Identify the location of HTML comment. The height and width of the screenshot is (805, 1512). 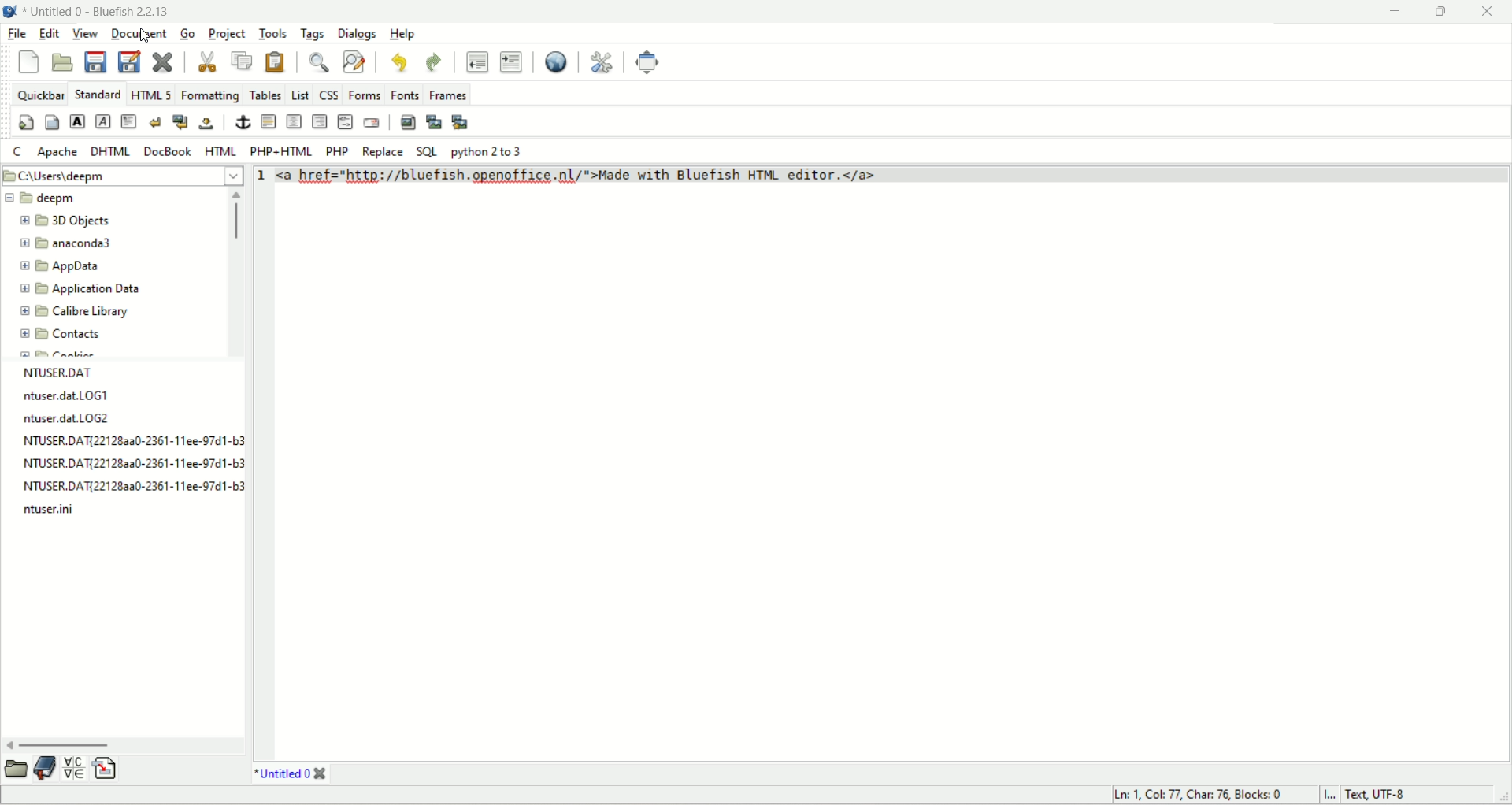
(345, 123).